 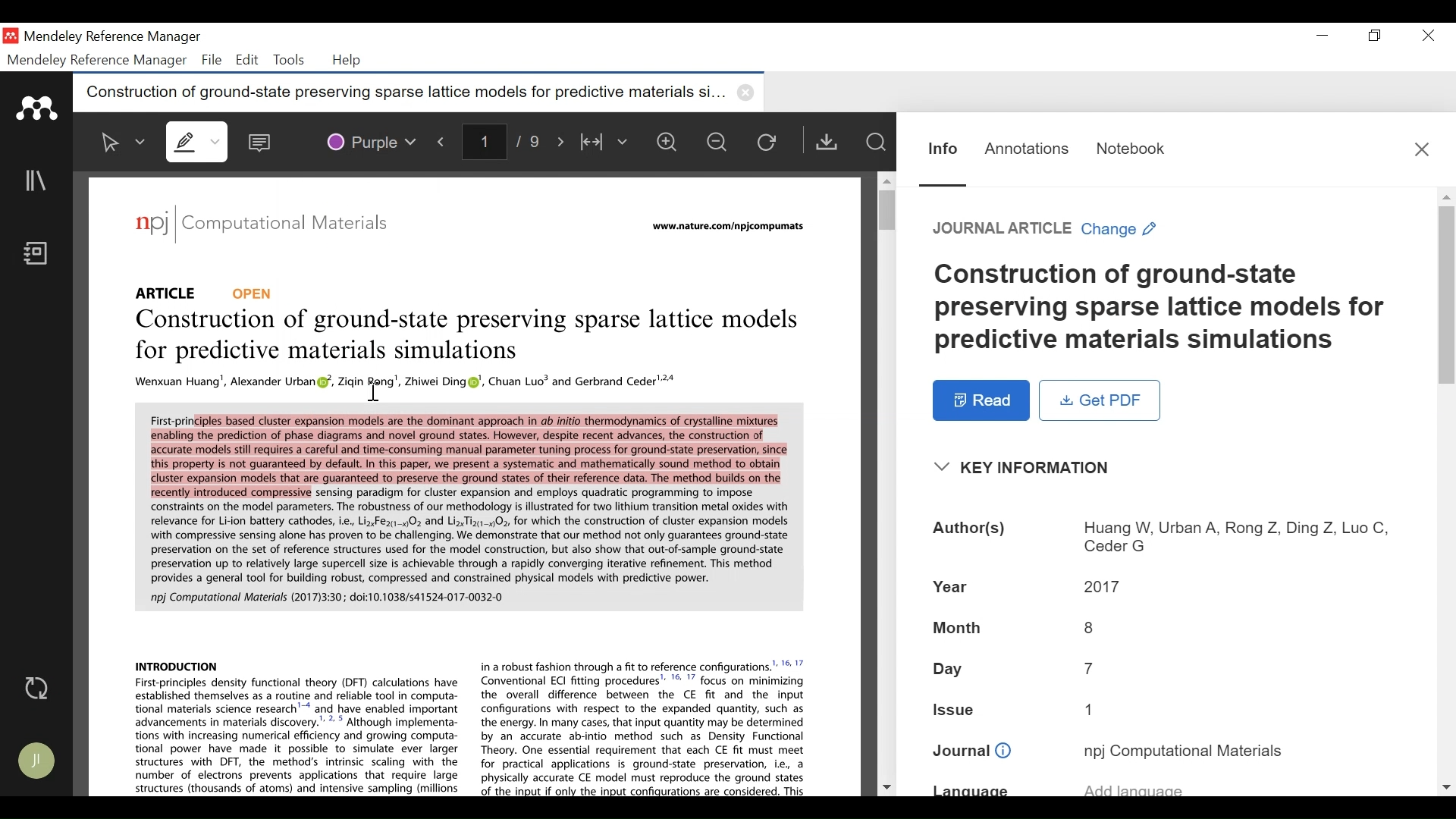 I want to click on Navigate Backward, so click(x=442, y=143).